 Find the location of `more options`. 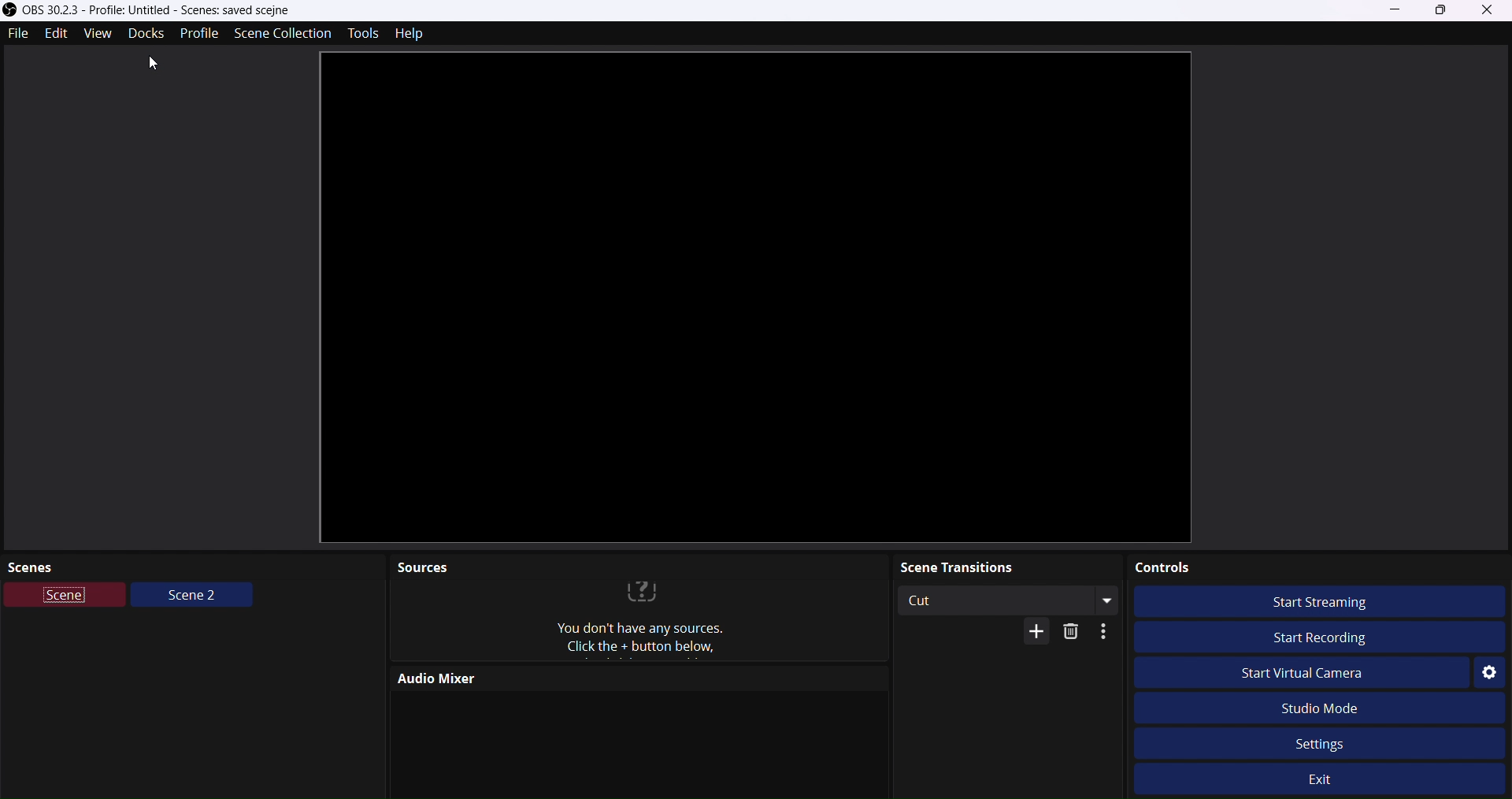

more options is located at coordinates (1106, 600).